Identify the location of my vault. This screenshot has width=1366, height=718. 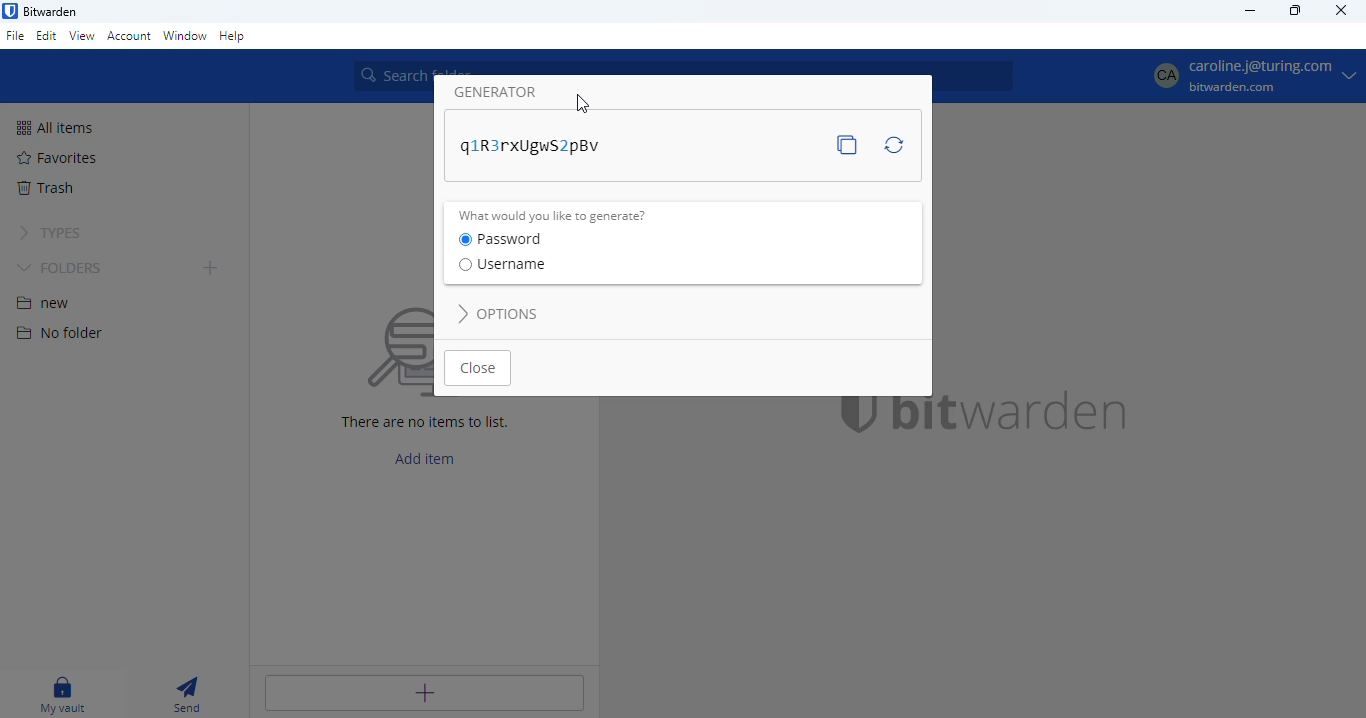
(64, 695).